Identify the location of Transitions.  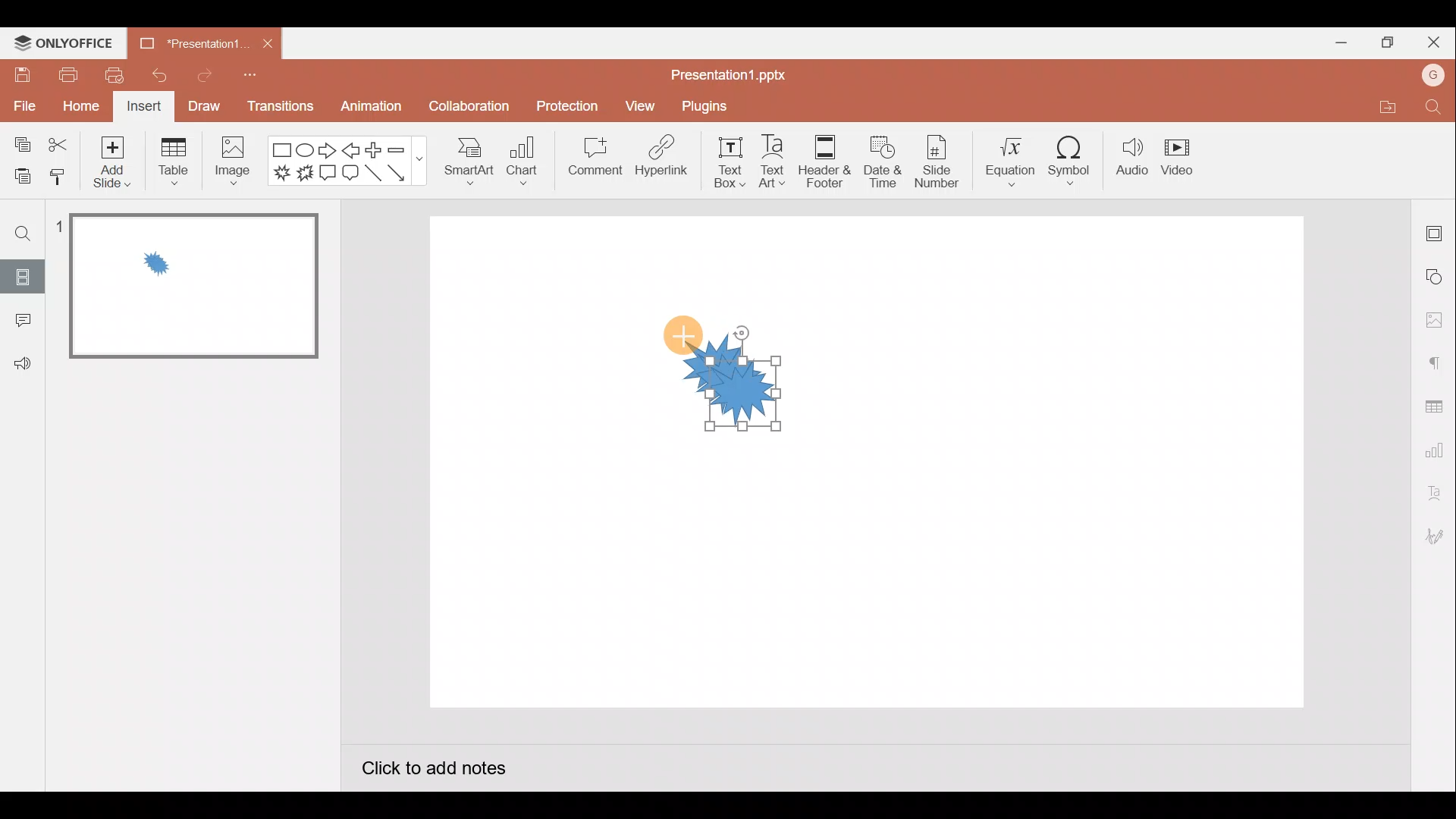
(278, 106).